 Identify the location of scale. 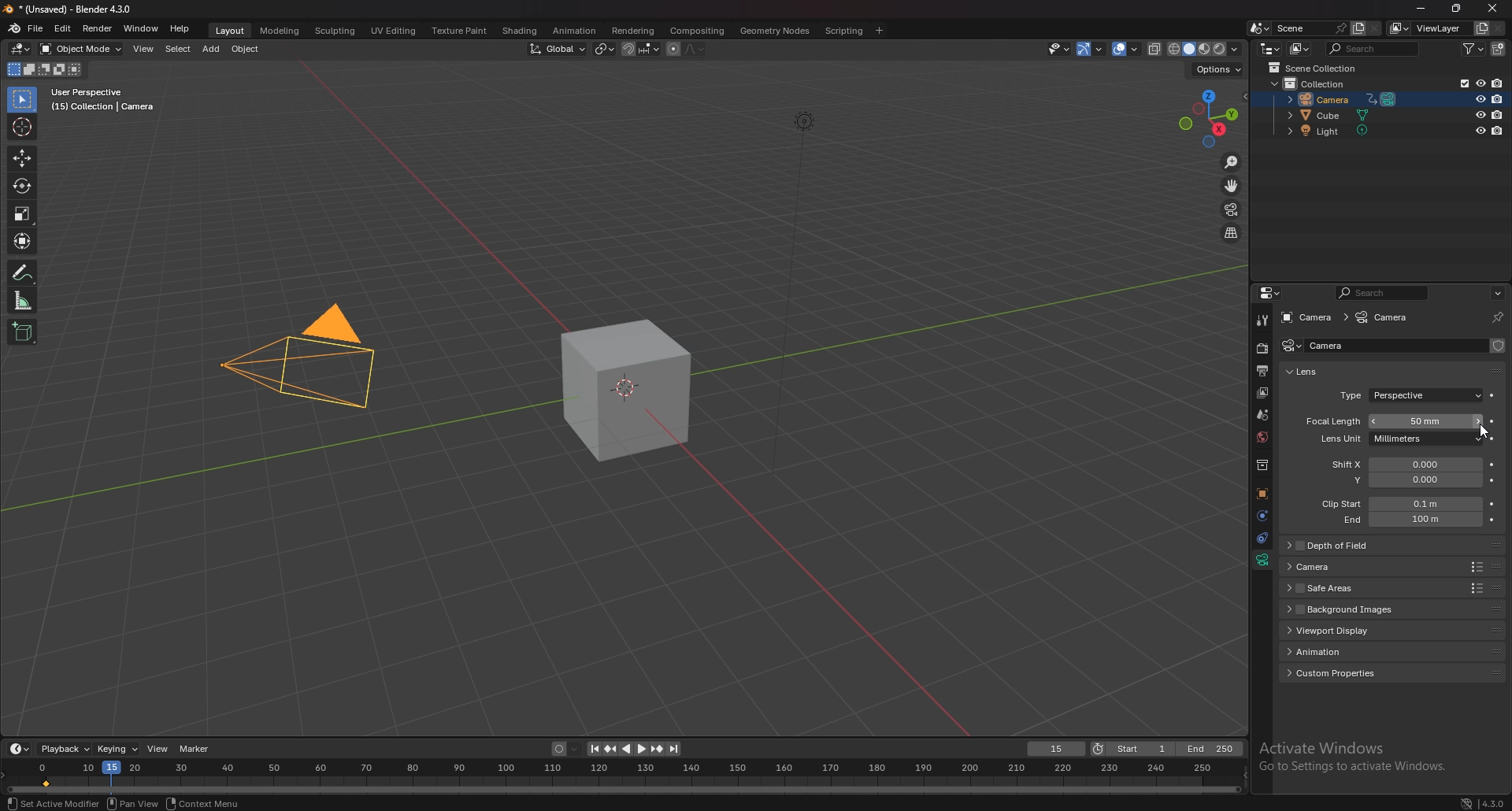
(24, 213).